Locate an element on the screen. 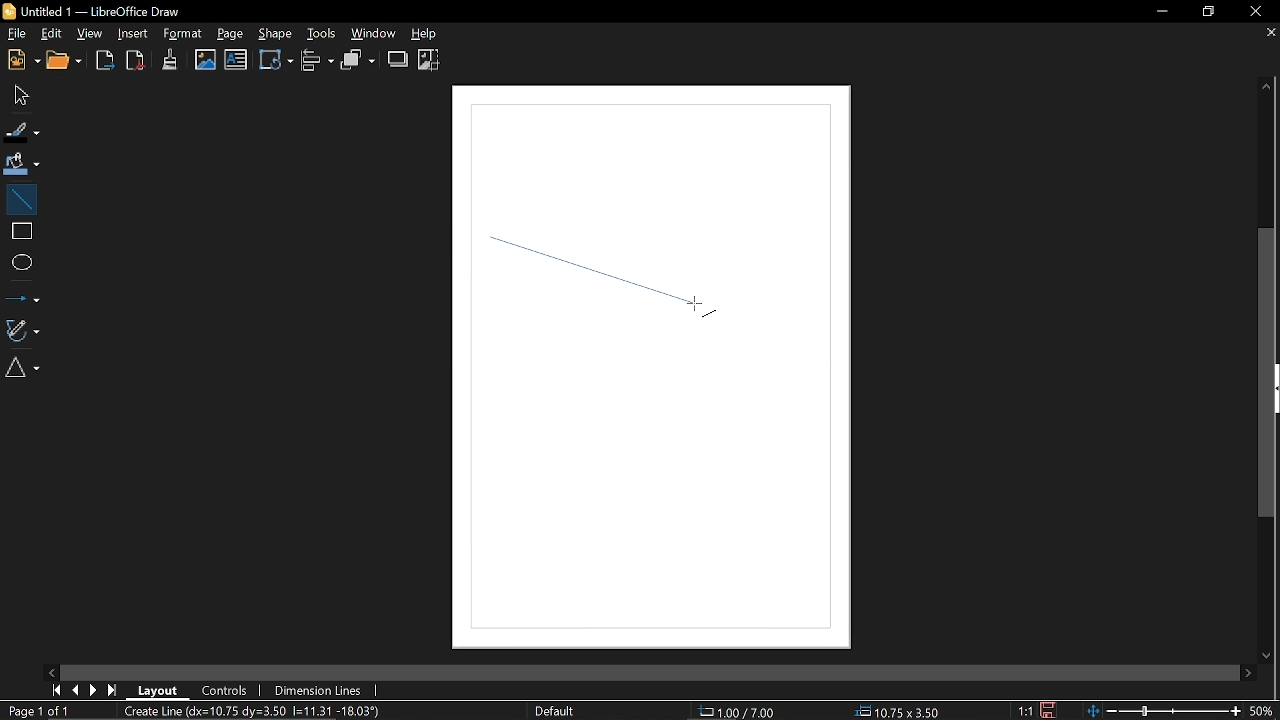  ELlipse is located at coordinates (21, 262).